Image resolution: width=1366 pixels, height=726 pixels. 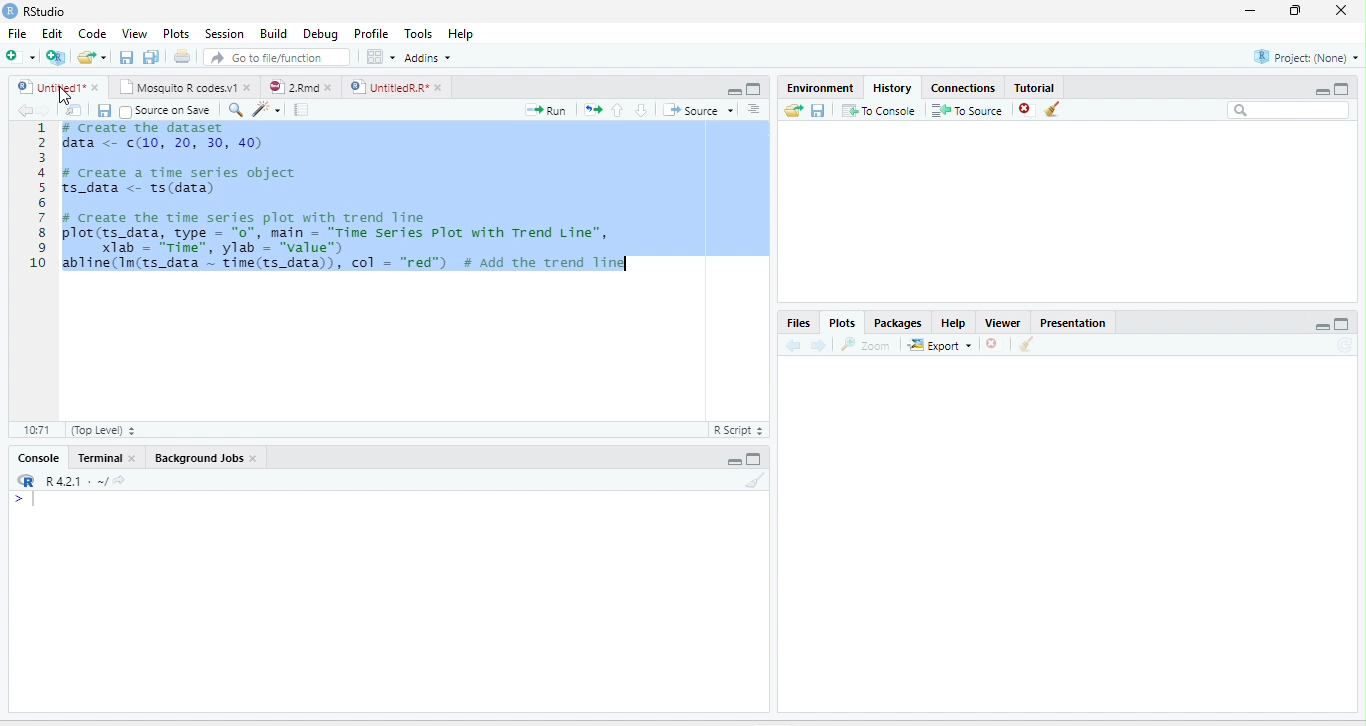 I want to click on Minimize, so click(x=732, y=462).